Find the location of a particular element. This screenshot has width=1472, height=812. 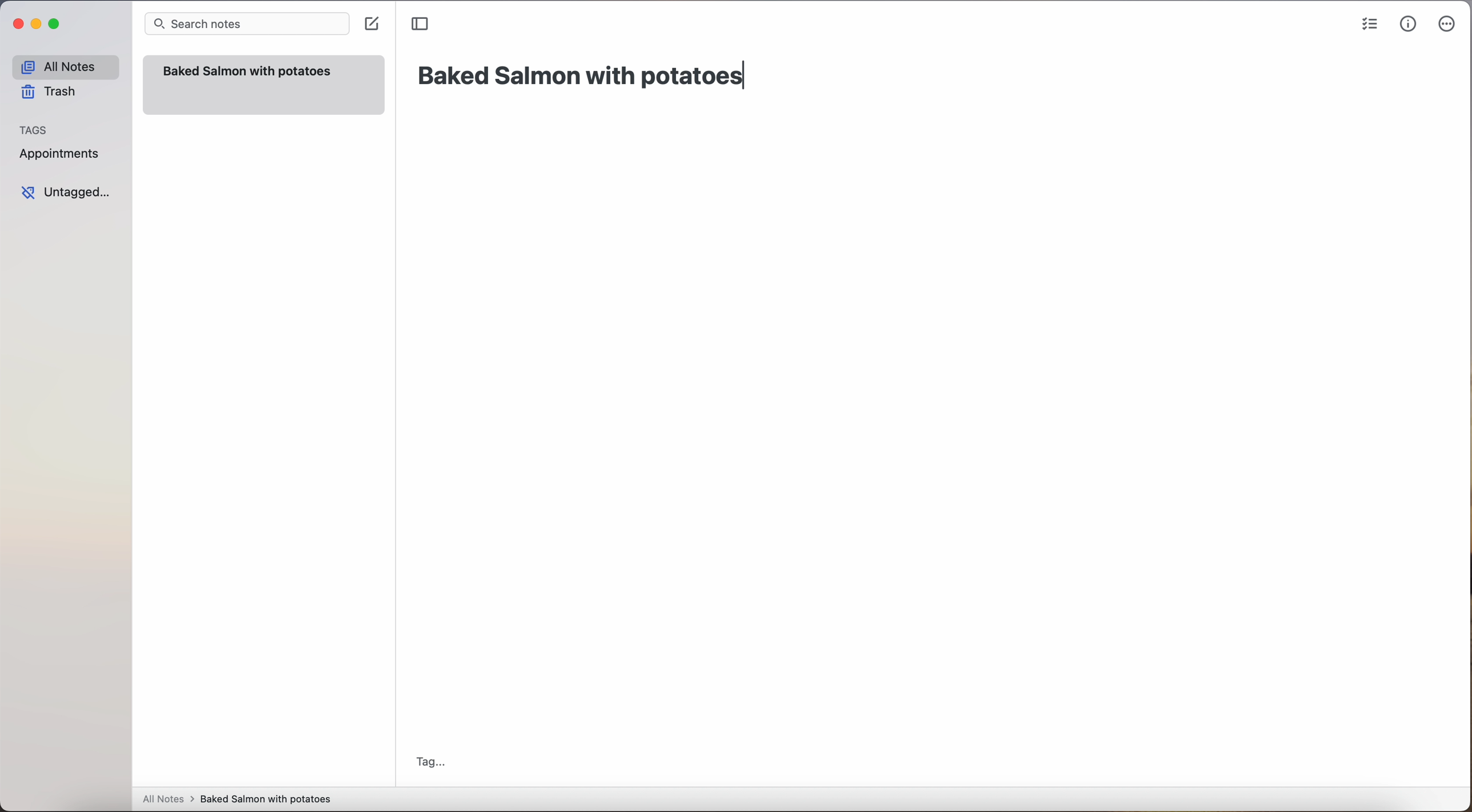

check list is located at coordinates (1369, 25).